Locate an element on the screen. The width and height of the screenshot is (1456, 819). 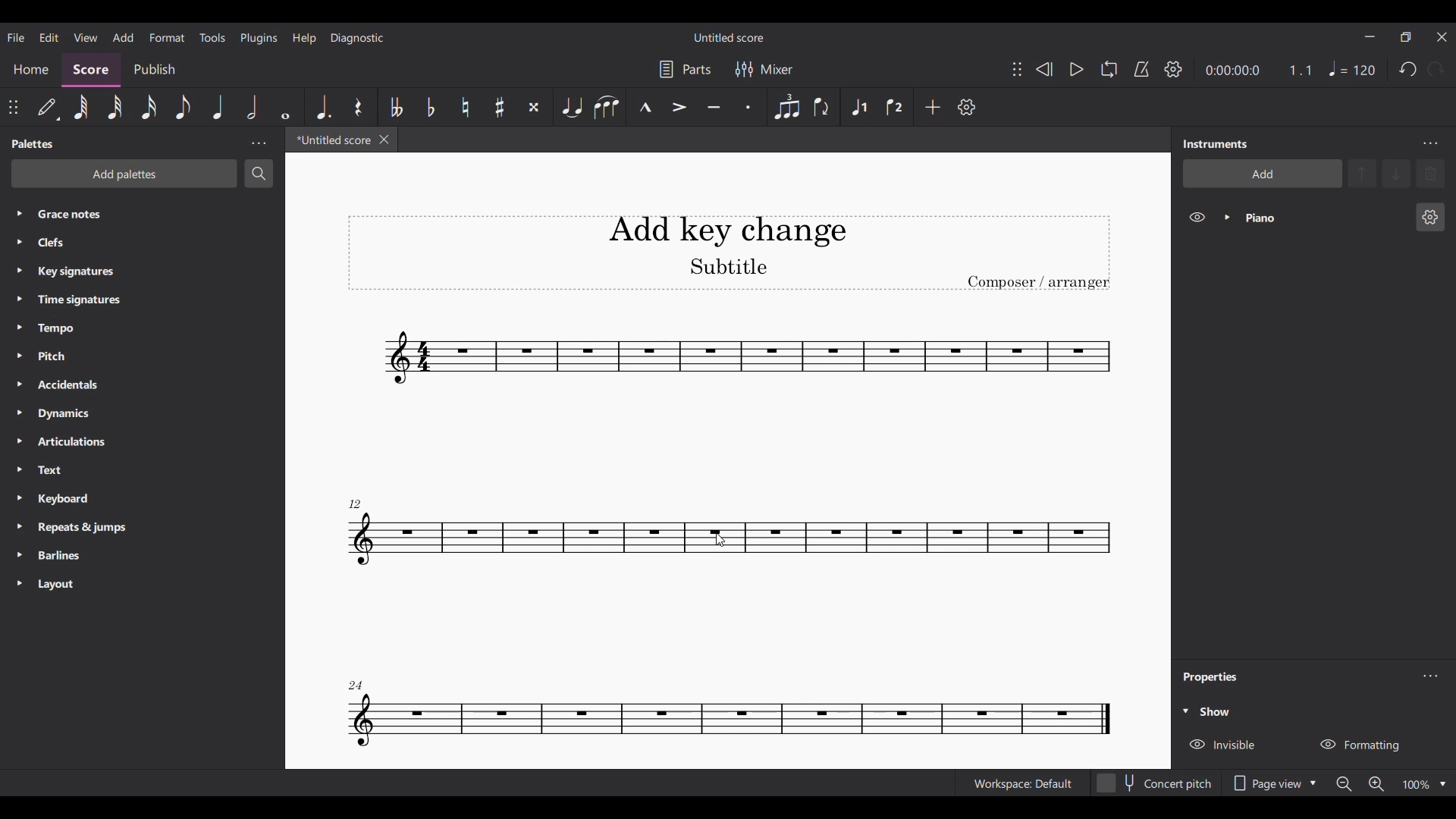
Customize toolbar is located at coordinates (967, 108).